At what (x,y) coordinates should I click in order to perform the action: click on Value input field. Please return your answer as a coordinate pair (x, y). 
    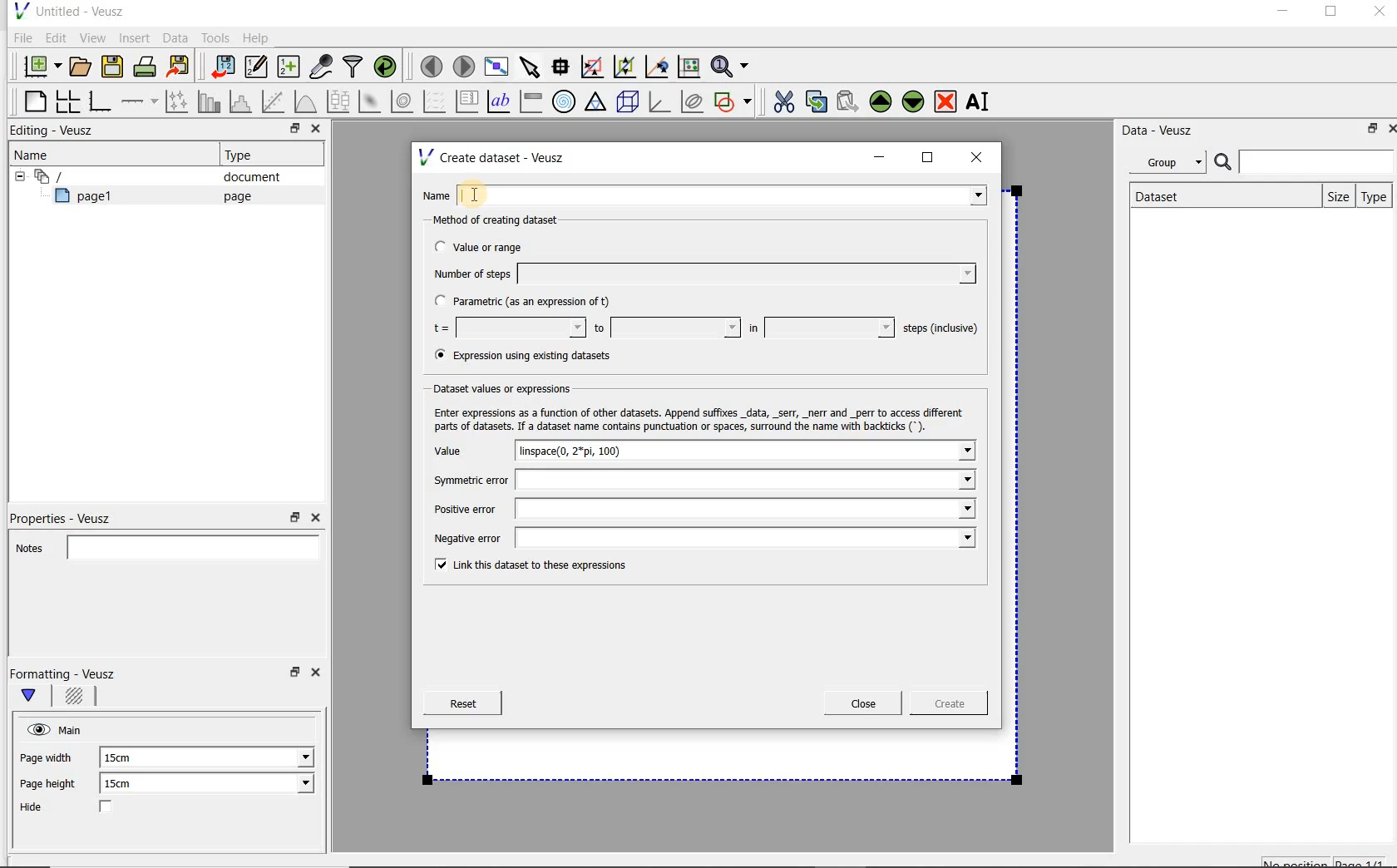
    Looking at the image, I should click on (823, 451).